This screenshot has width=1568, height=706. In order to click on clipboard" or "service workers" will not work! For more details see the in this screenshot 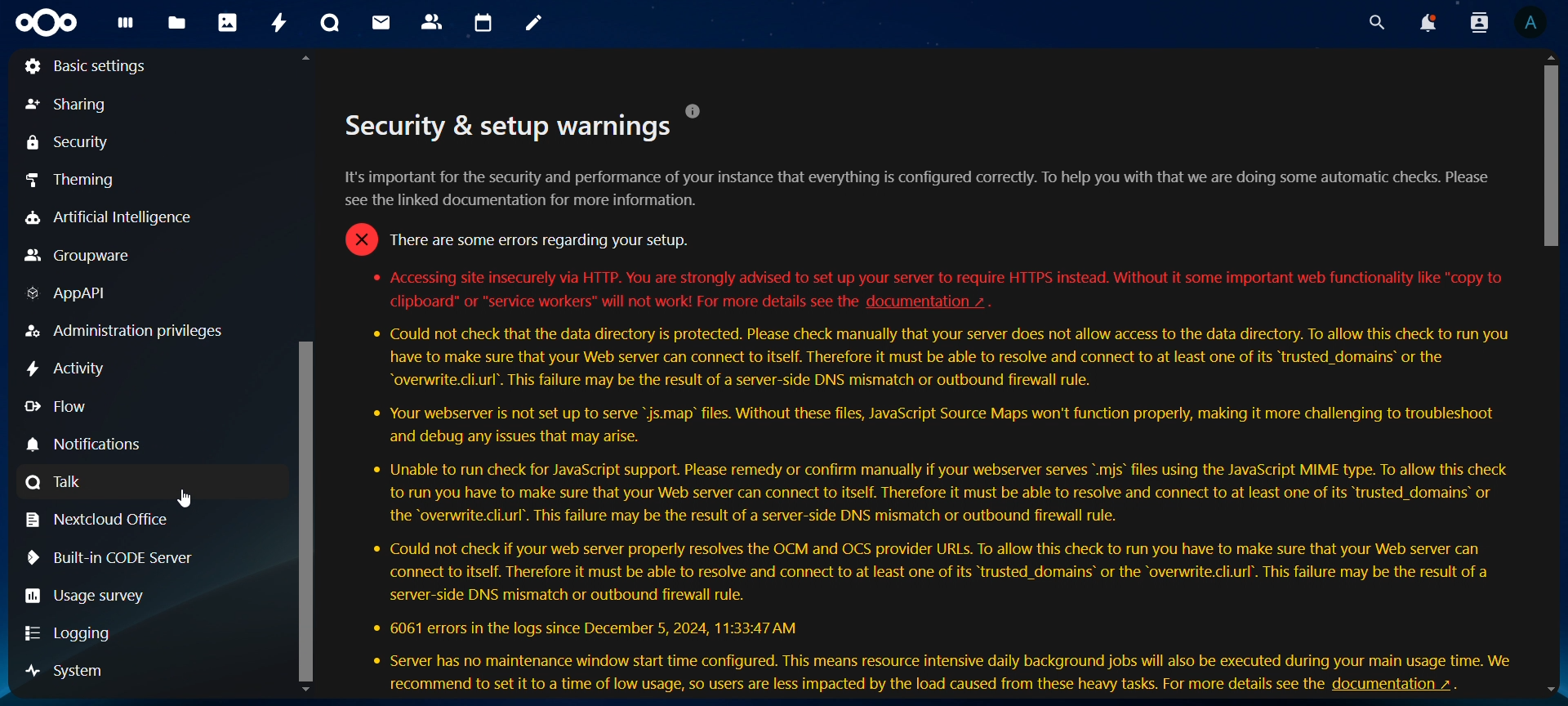, I will do `click(617, 302)`.